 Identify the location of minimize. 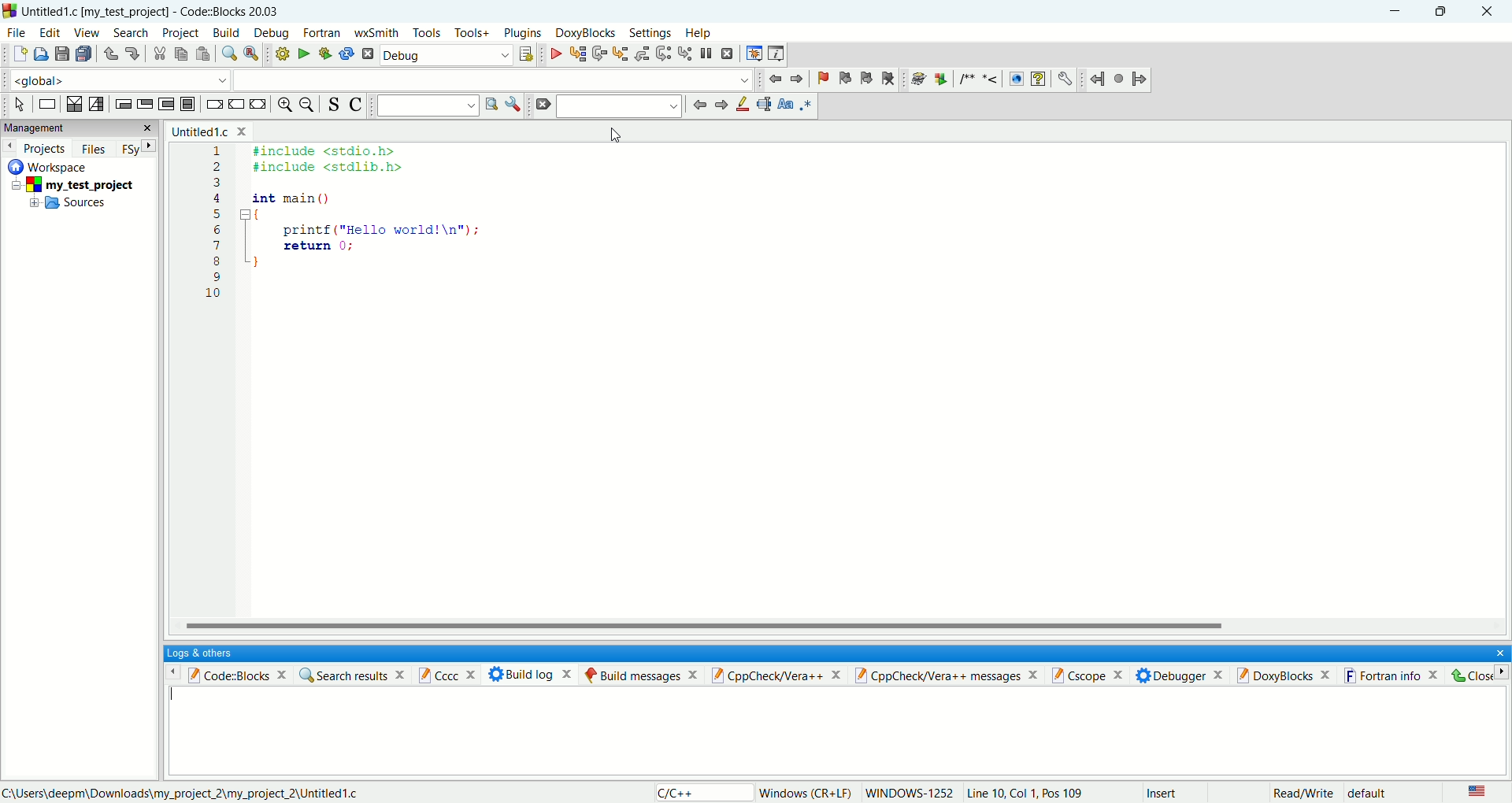
(1398, 12).